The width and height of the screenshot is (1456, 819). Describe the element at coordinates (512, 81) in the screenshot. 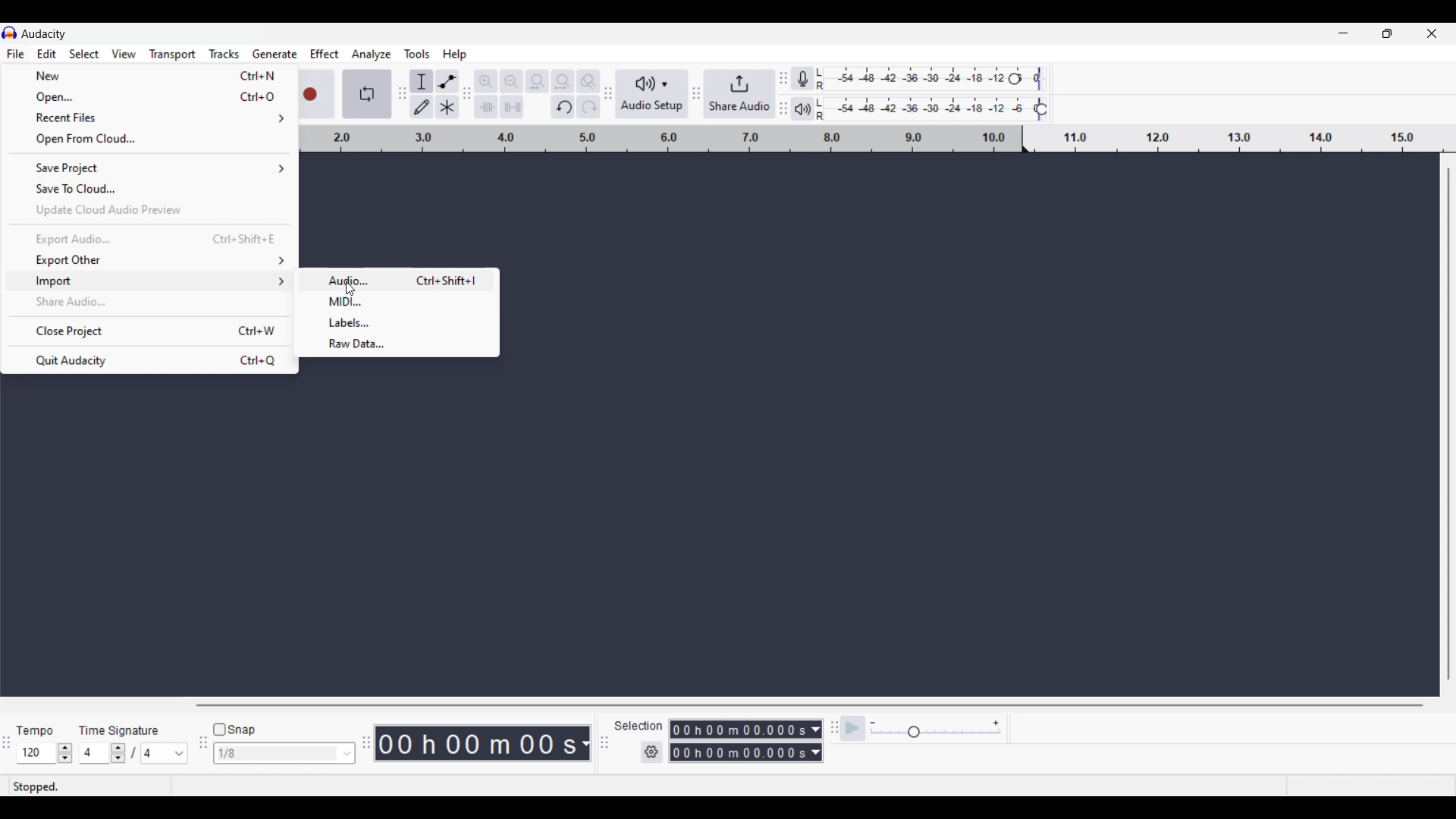

I see `Zoom out` at that location.